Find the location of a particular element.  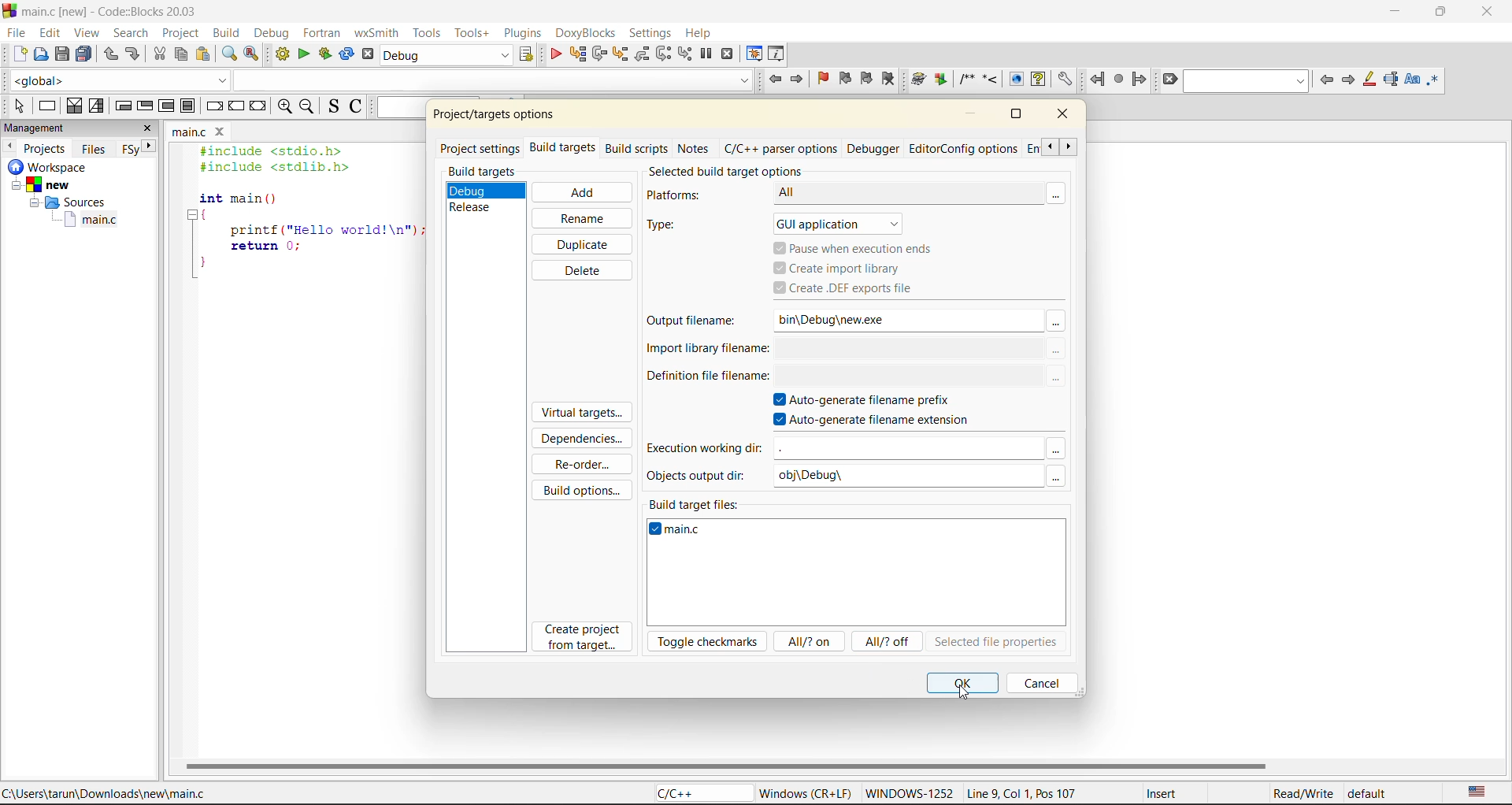

show select target dialog is located at coordinates (525, 53).